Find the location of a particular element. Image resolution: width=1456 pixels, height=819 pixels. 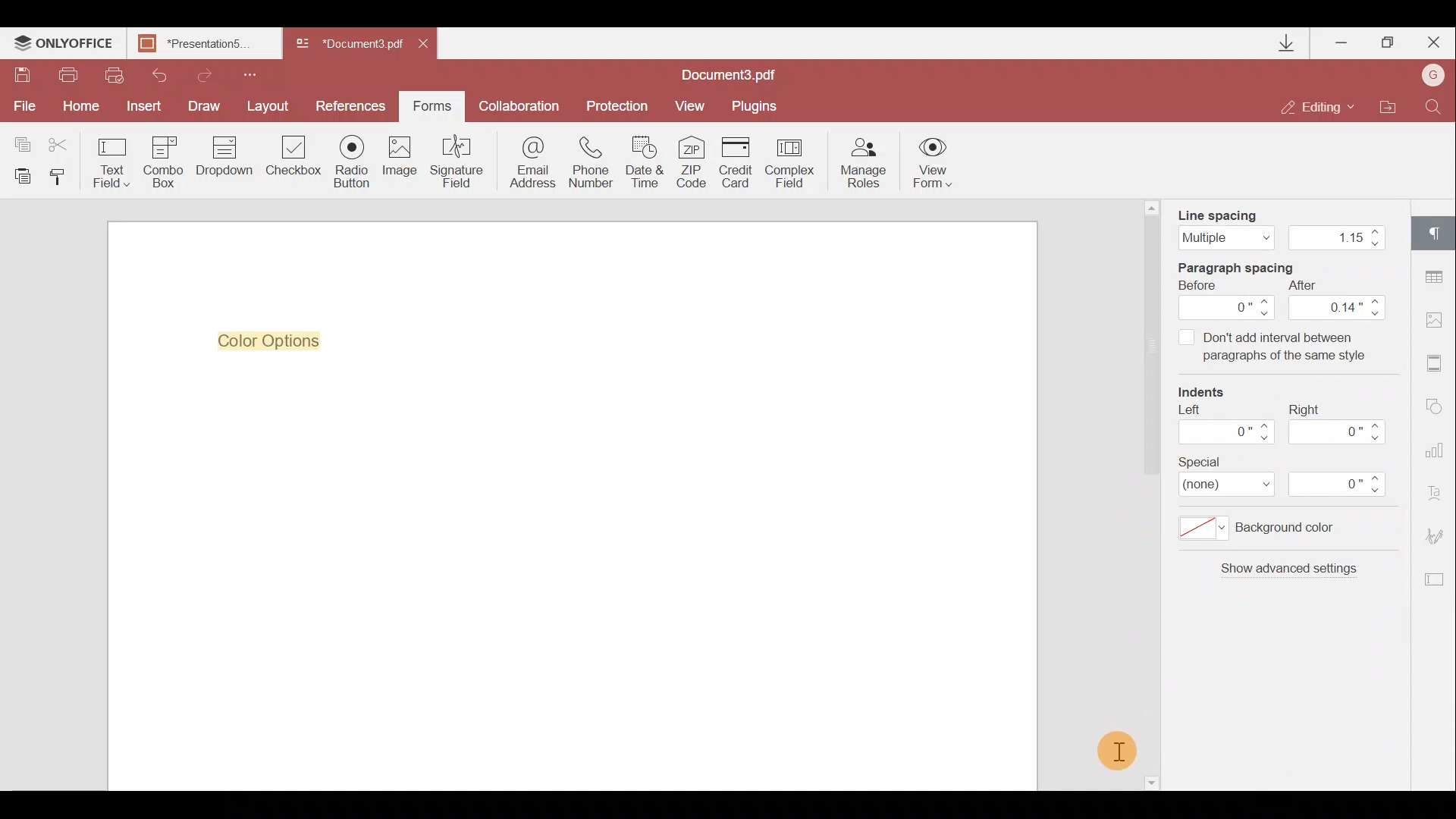

Left indents is located at coordinates (1228, 409).